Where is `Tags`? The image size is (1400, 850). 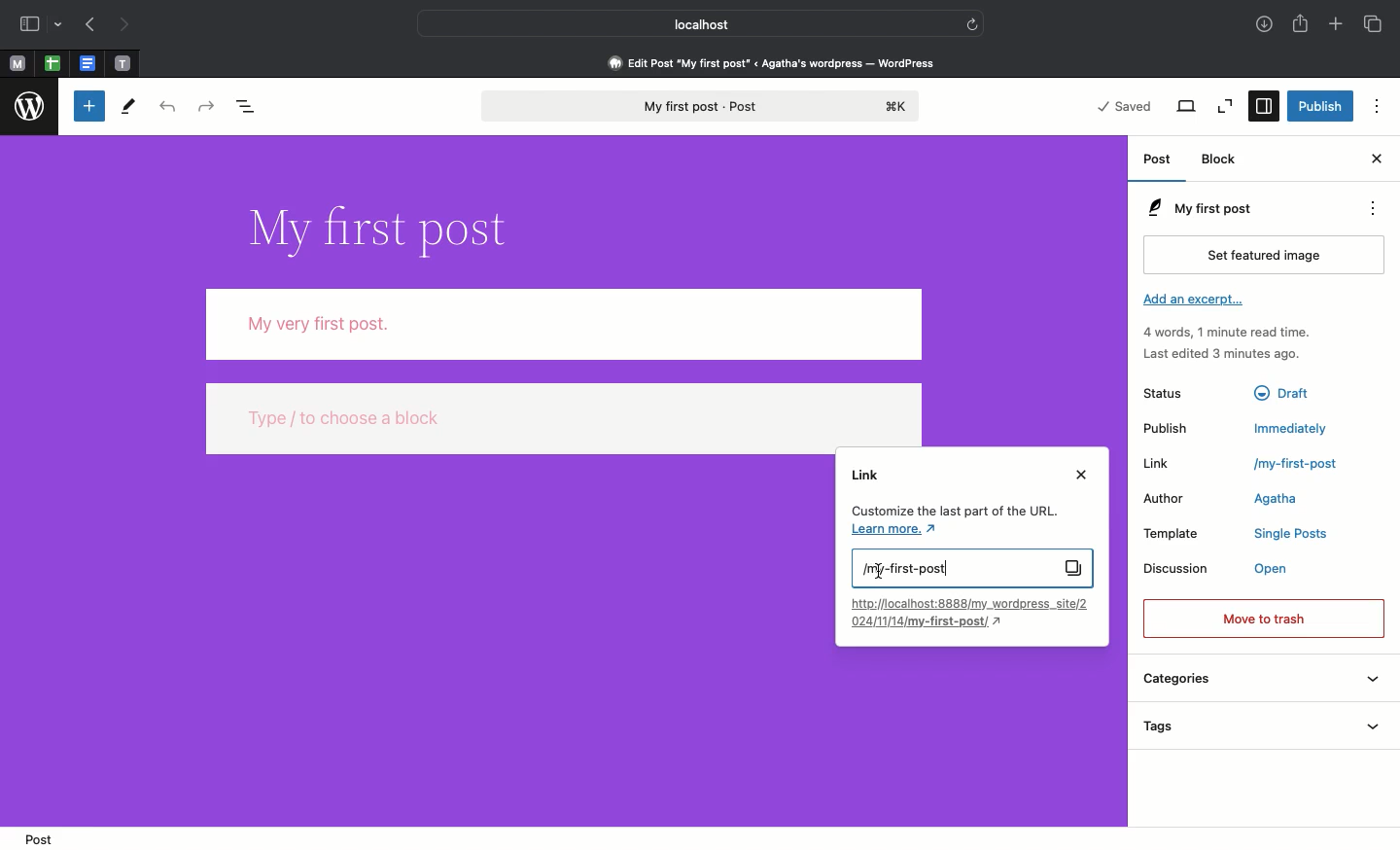
Tags is located at coordinates (1267, 724).